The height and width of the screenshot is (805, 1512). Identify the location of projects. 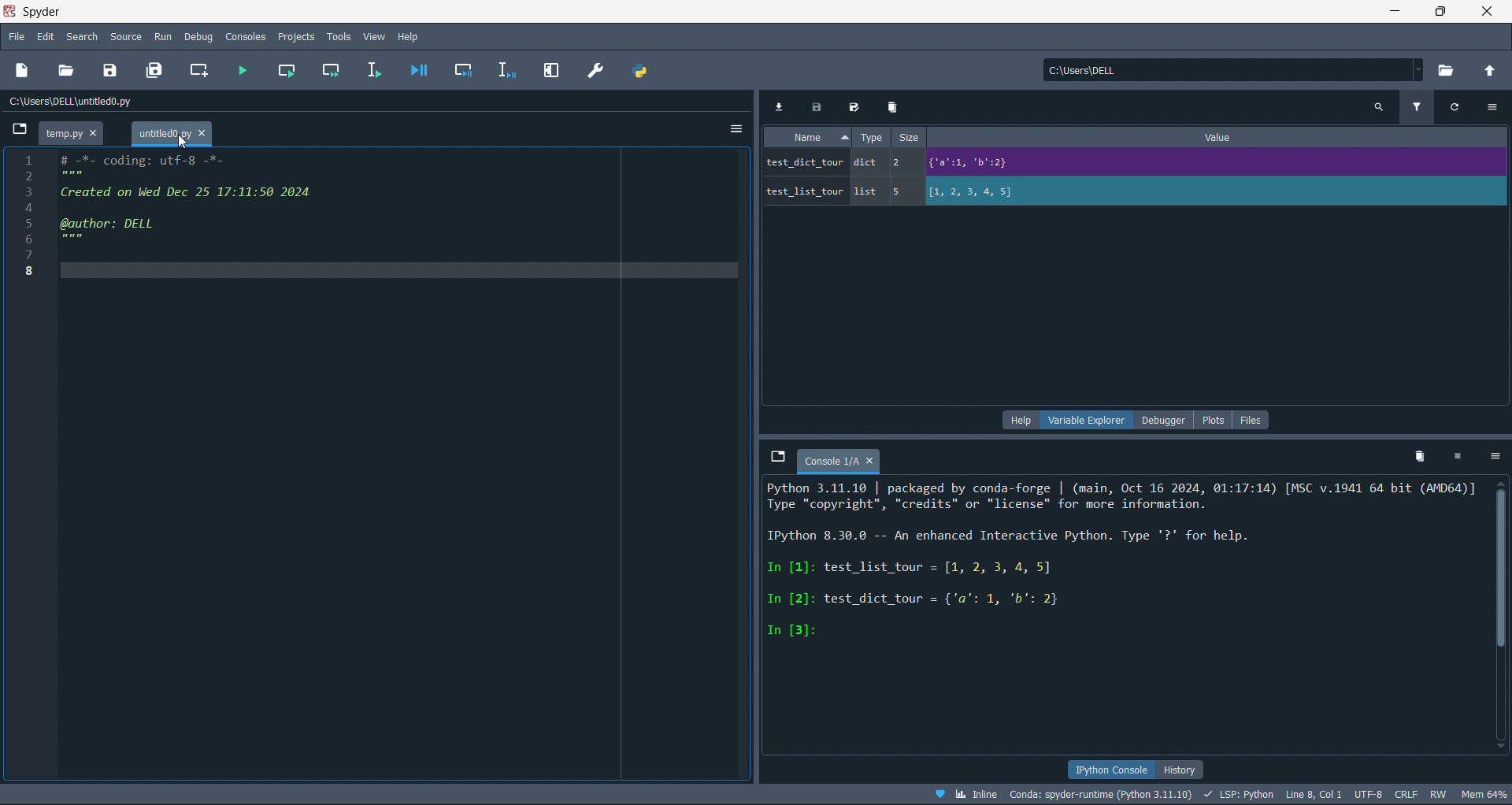
(296, 36).